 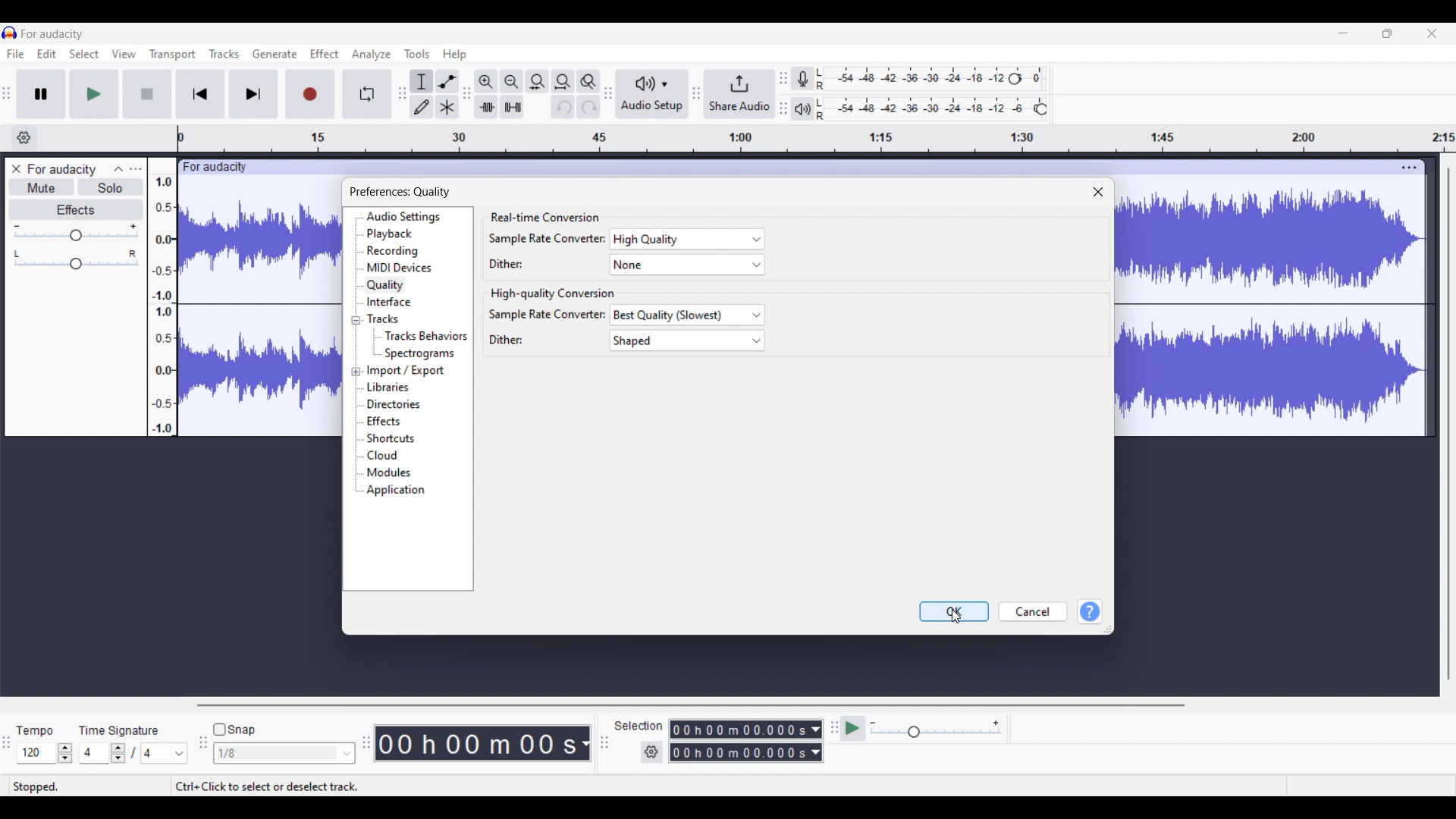 What do you see at coordinates (36, 787) in the screenshot?
I see `Current status of track` at bounding box center [36, 787].